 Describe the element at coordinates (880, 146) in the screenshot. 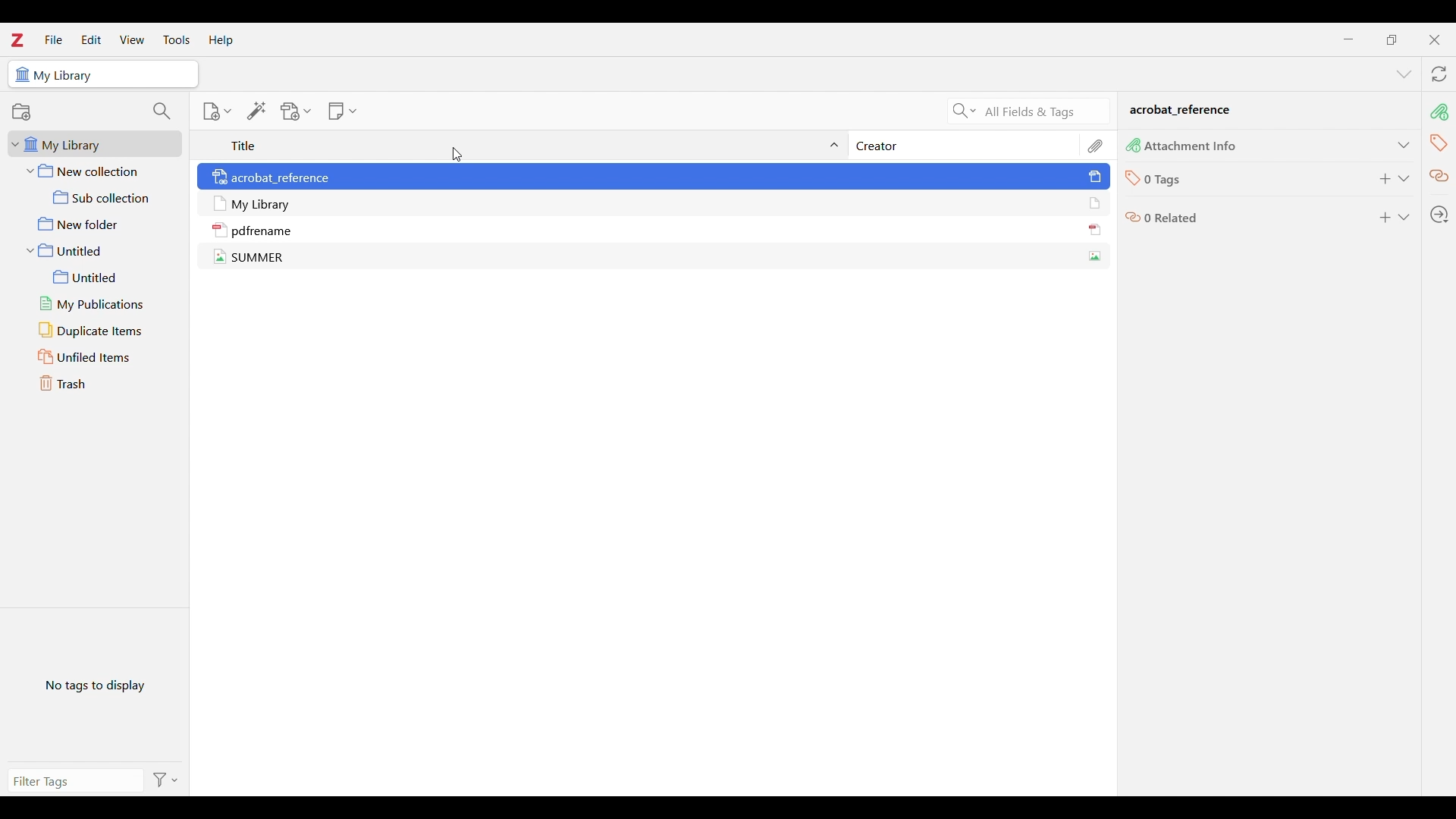

I see `Creator column` at that location.